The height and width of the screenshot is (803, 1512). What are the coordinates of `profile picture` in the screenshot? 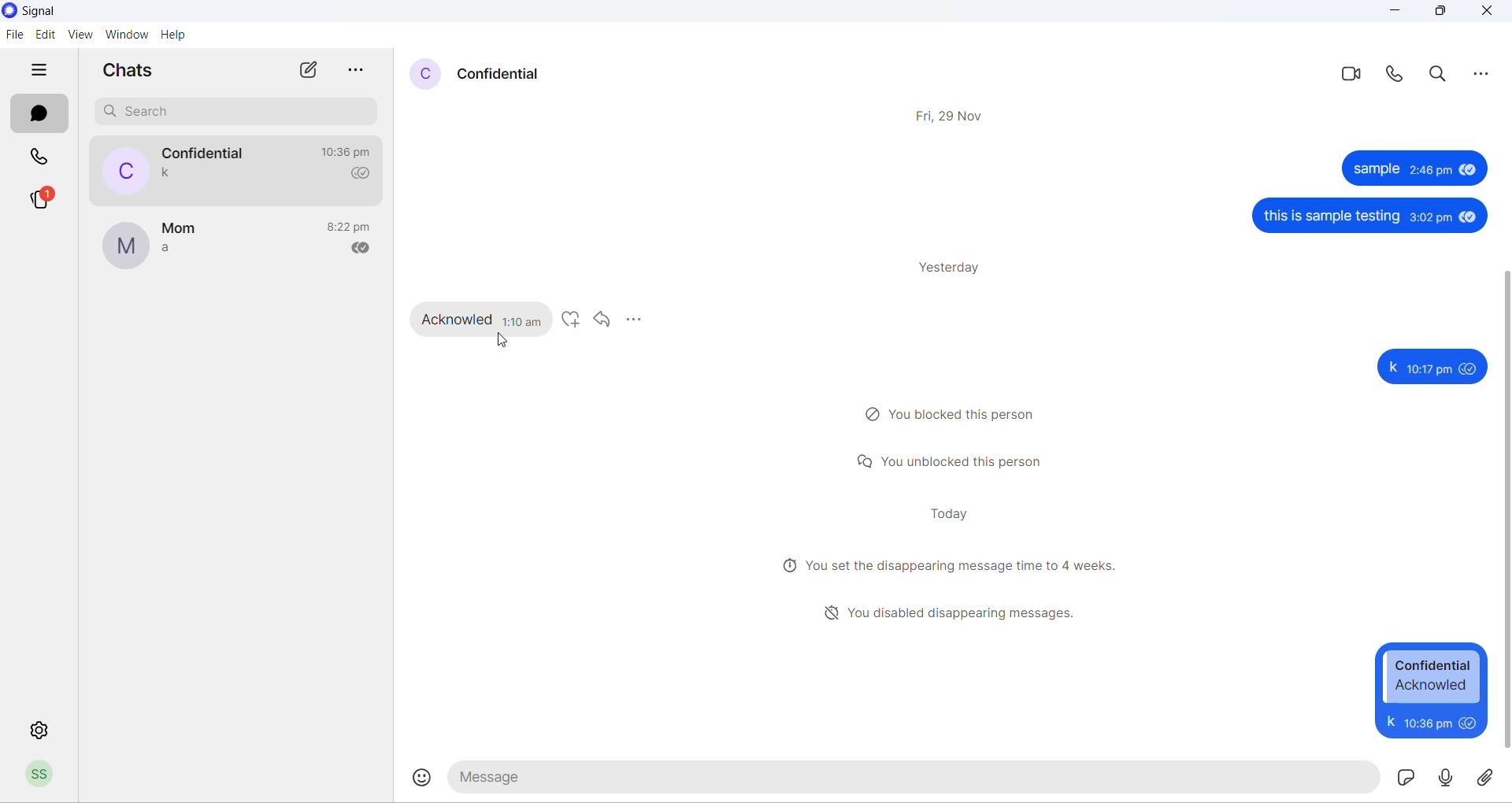 It's located at (126, 170).